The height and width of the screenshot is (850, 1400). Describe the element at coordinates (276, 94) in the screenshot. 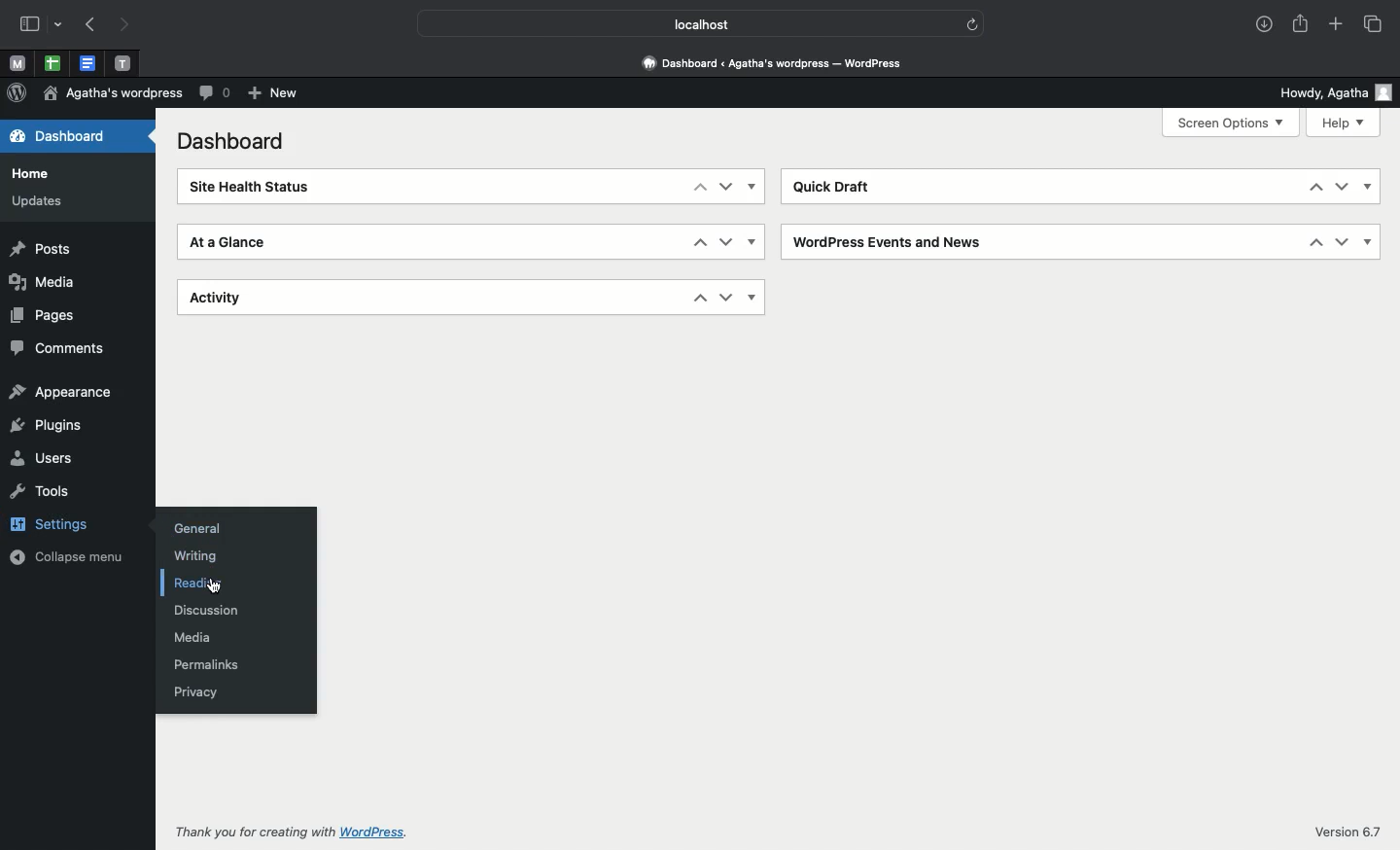

I see `New` at that location.